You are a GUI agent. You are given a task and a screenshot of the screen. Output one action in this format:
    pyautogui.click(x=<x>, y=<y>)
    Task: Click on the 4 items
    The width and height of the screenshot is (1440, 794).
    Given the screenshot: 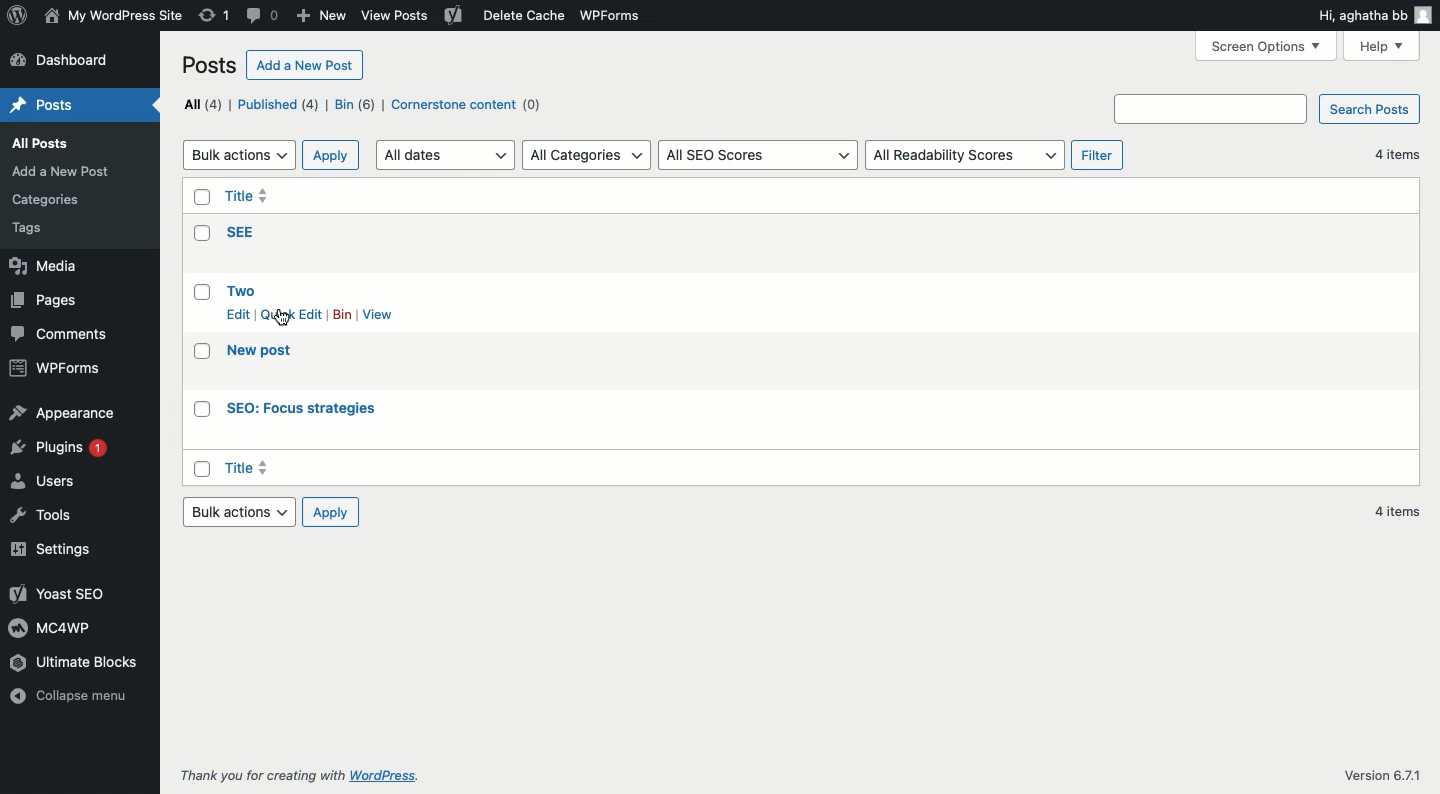 What is the action you would take?
    pyautogui.click(x=1393, y=155)
    